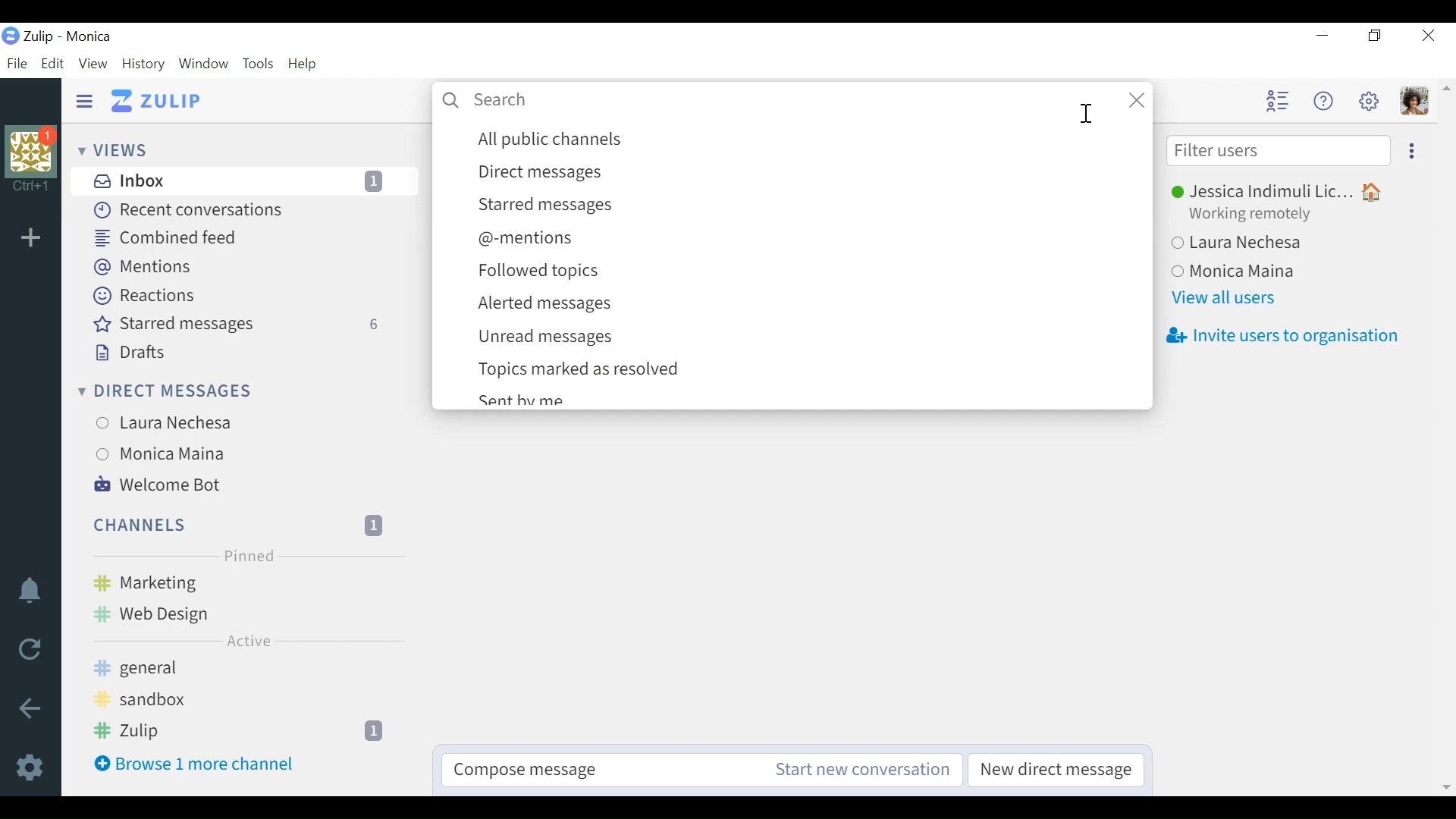 This screenshot has width=1456, height=819. What do you see at coordinates (87, 99) in the screenshot?
I see `Hide` at bounding box center [87, 99].